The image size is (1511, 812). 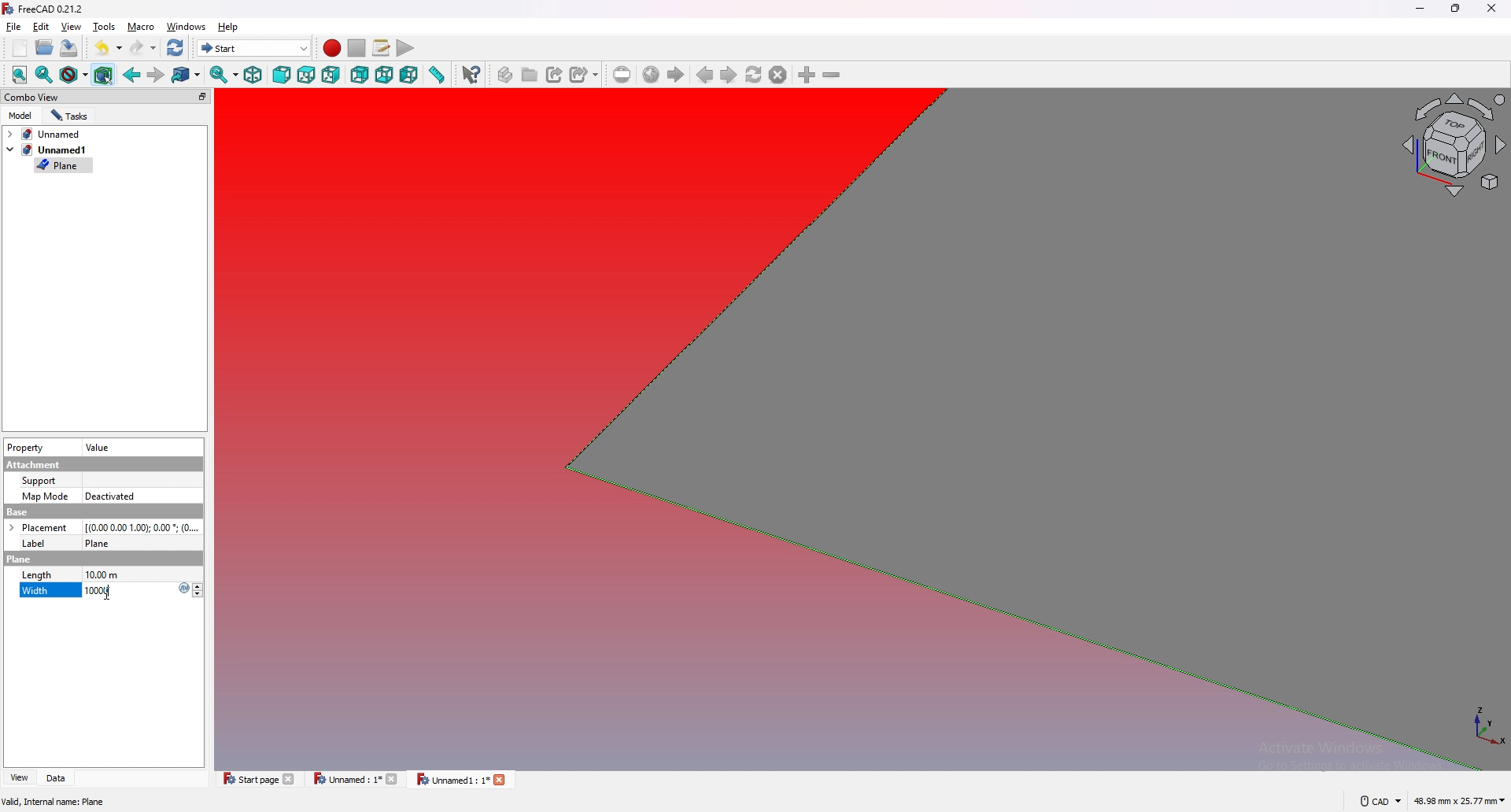 I want to click on Label, so click(x=39, y=543).